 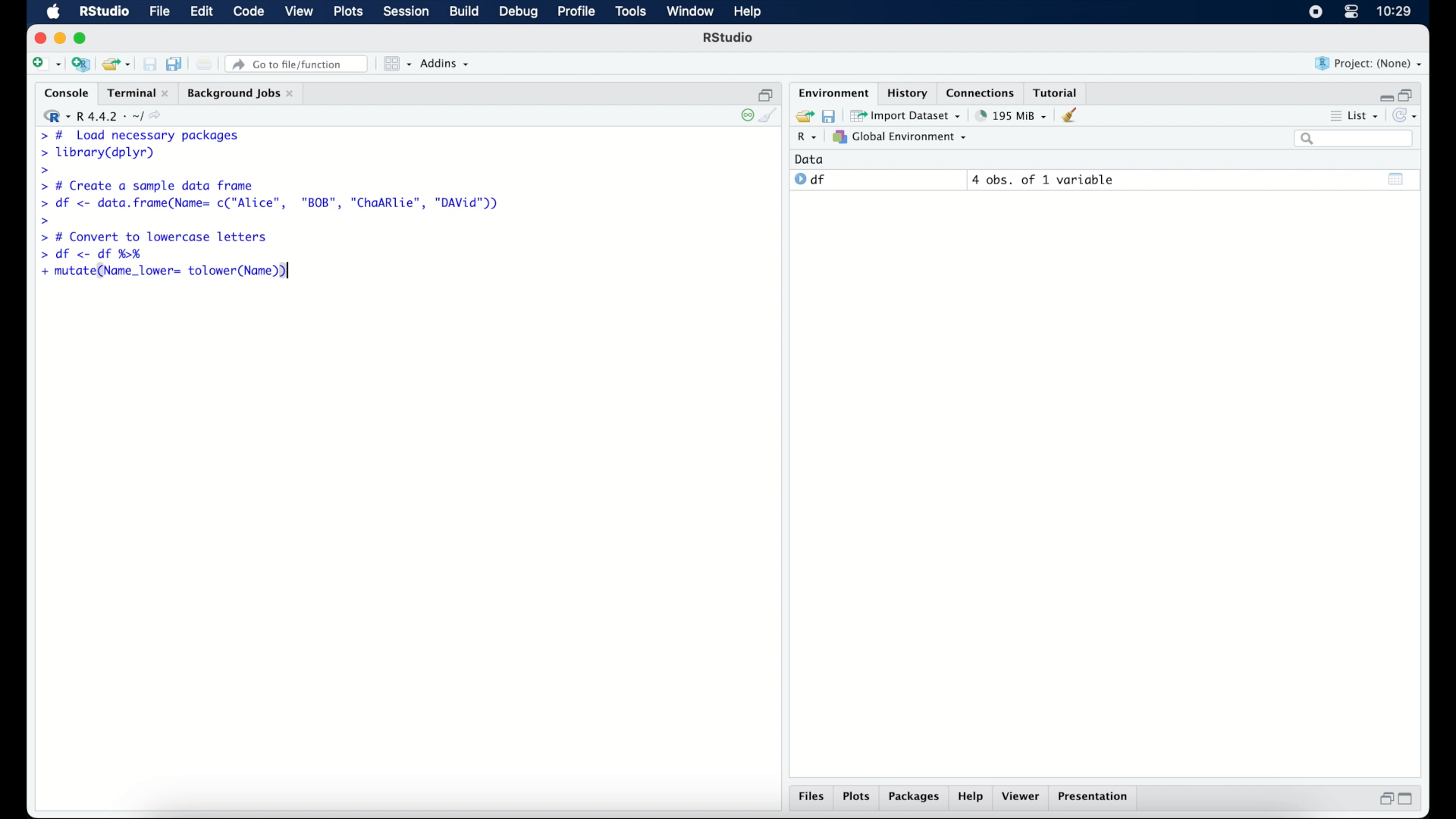 What do you see at coordinates (811, 799) in the screenshot?
I see `files` at bounding box center [811, 799].